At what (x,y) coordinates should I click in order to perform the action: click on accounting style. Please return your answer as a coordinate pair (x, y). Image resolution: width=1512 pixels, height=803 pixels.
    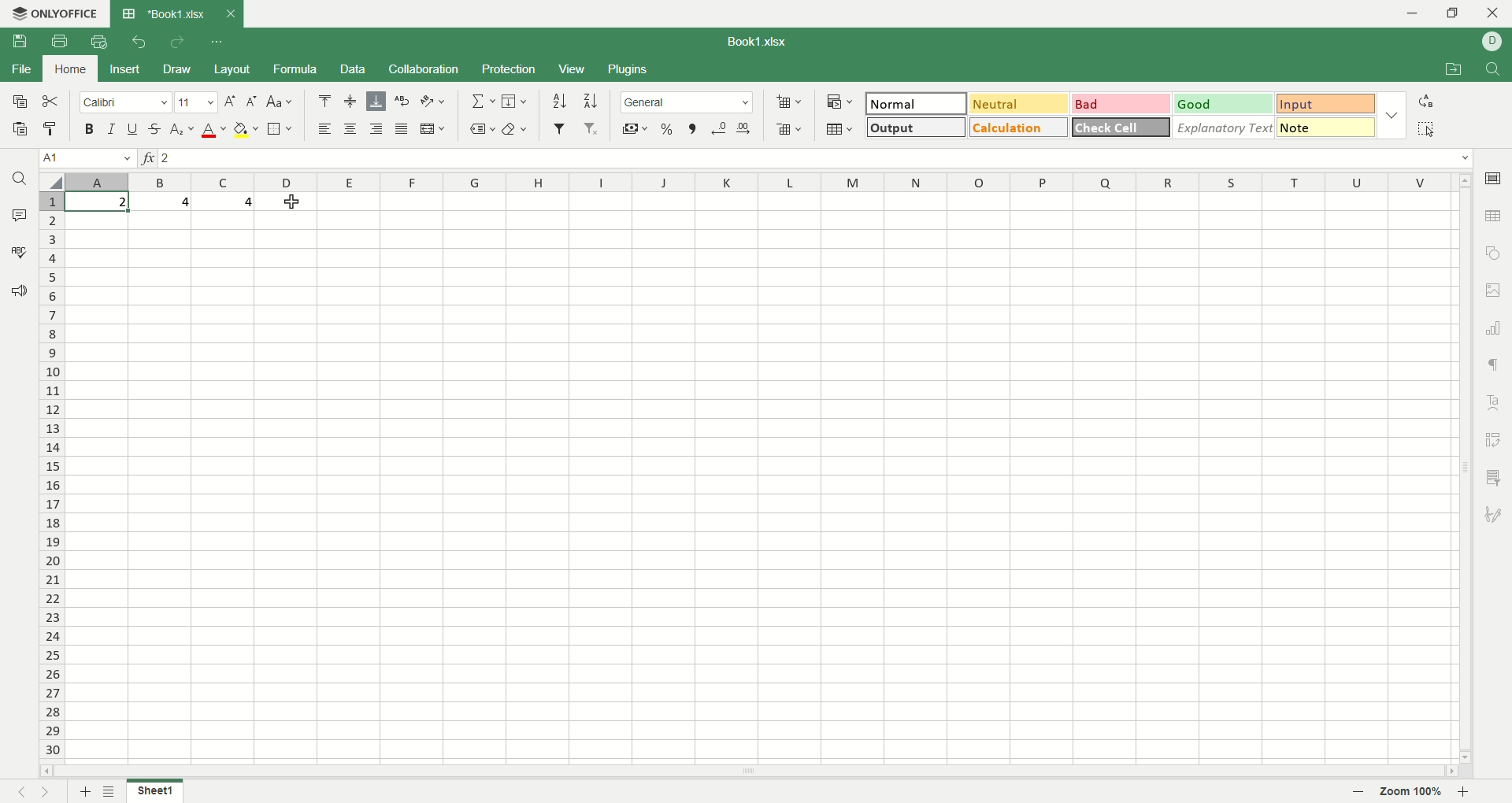
    Looking at the image, I should click on (631, 128).